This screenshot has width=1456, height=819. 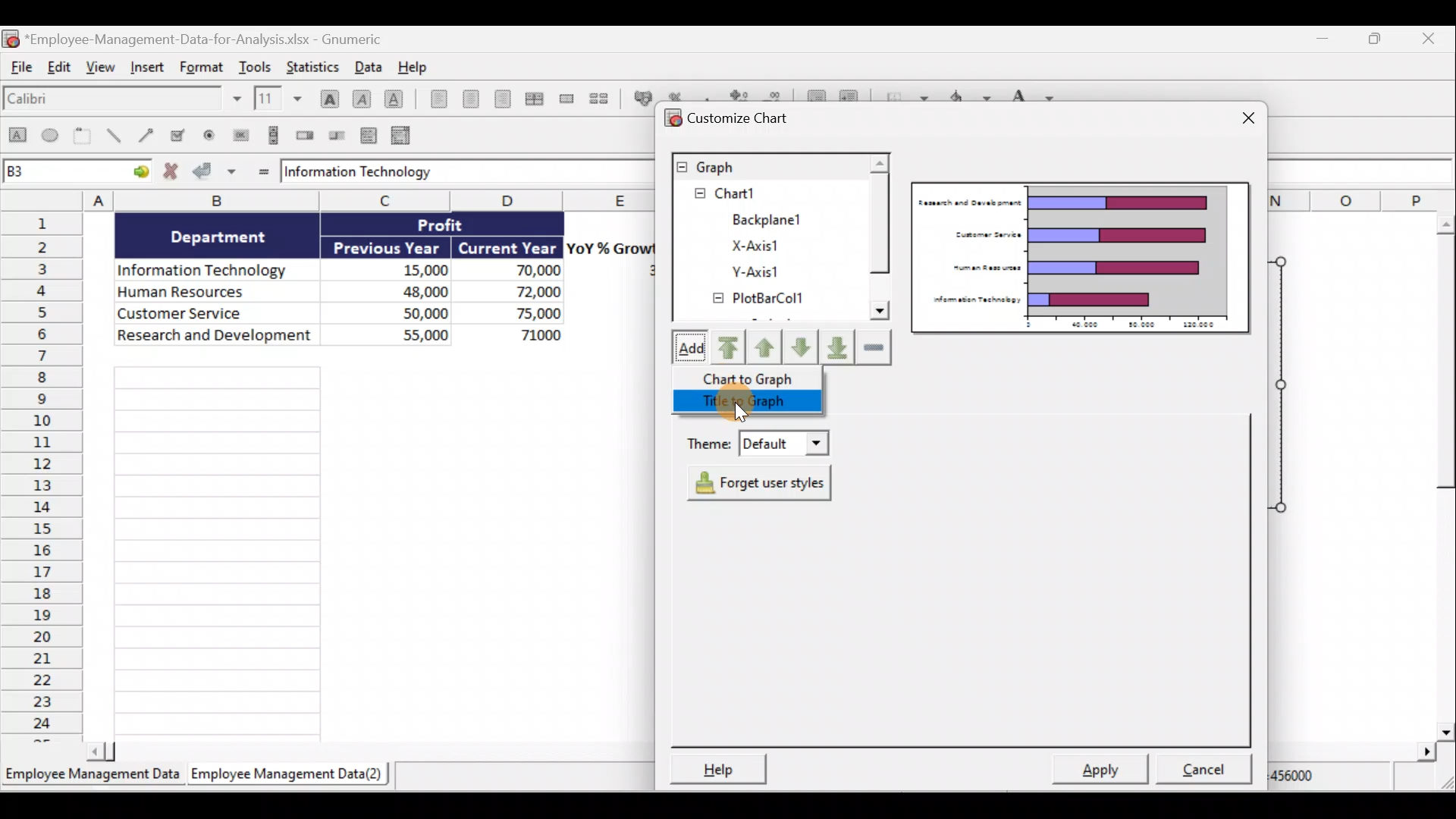 I want to click on Move up, so click(x=764, y=347).